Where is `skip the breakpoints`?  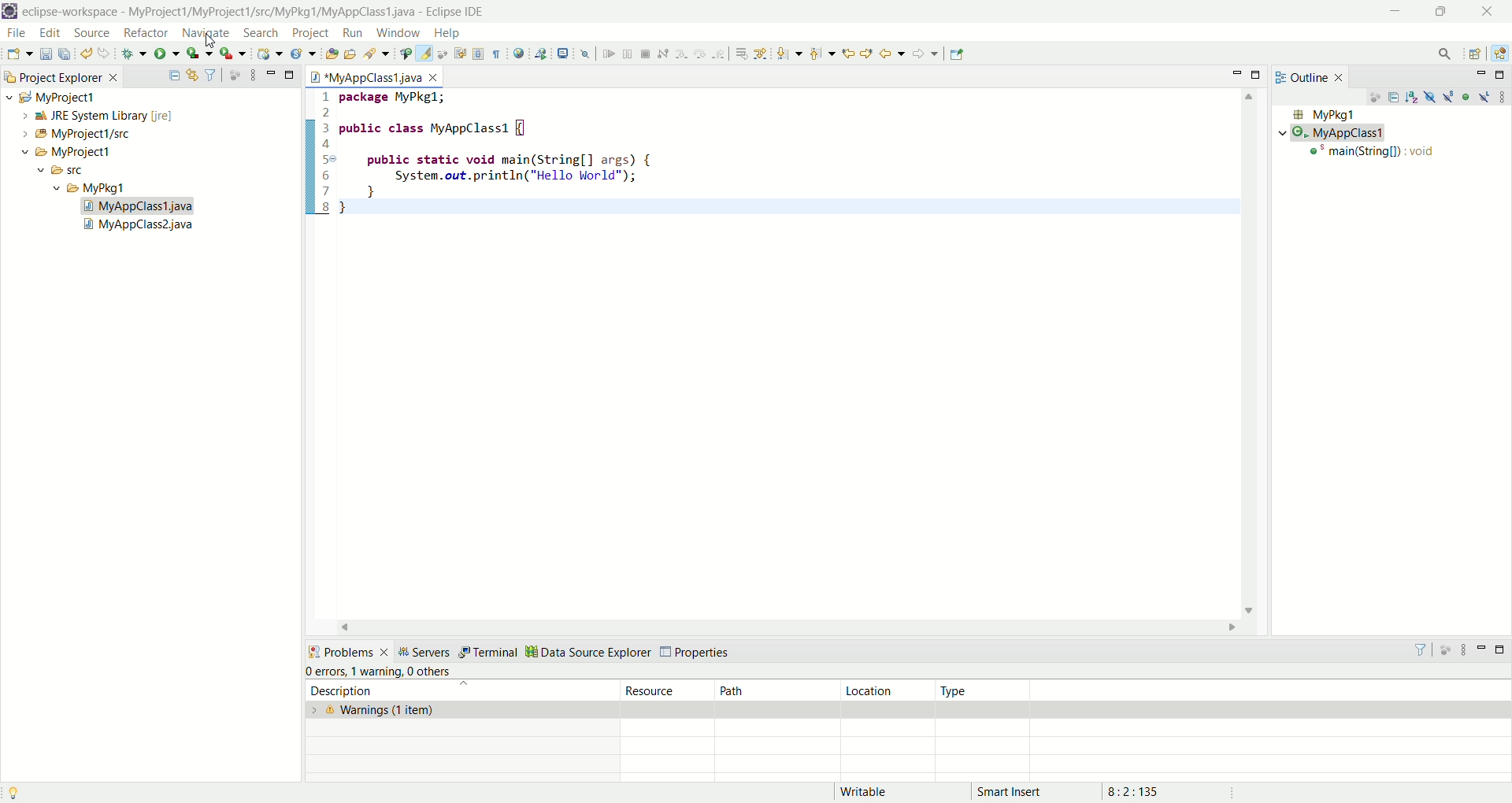 skip the breakpoints is located at coordinates (586, 55).